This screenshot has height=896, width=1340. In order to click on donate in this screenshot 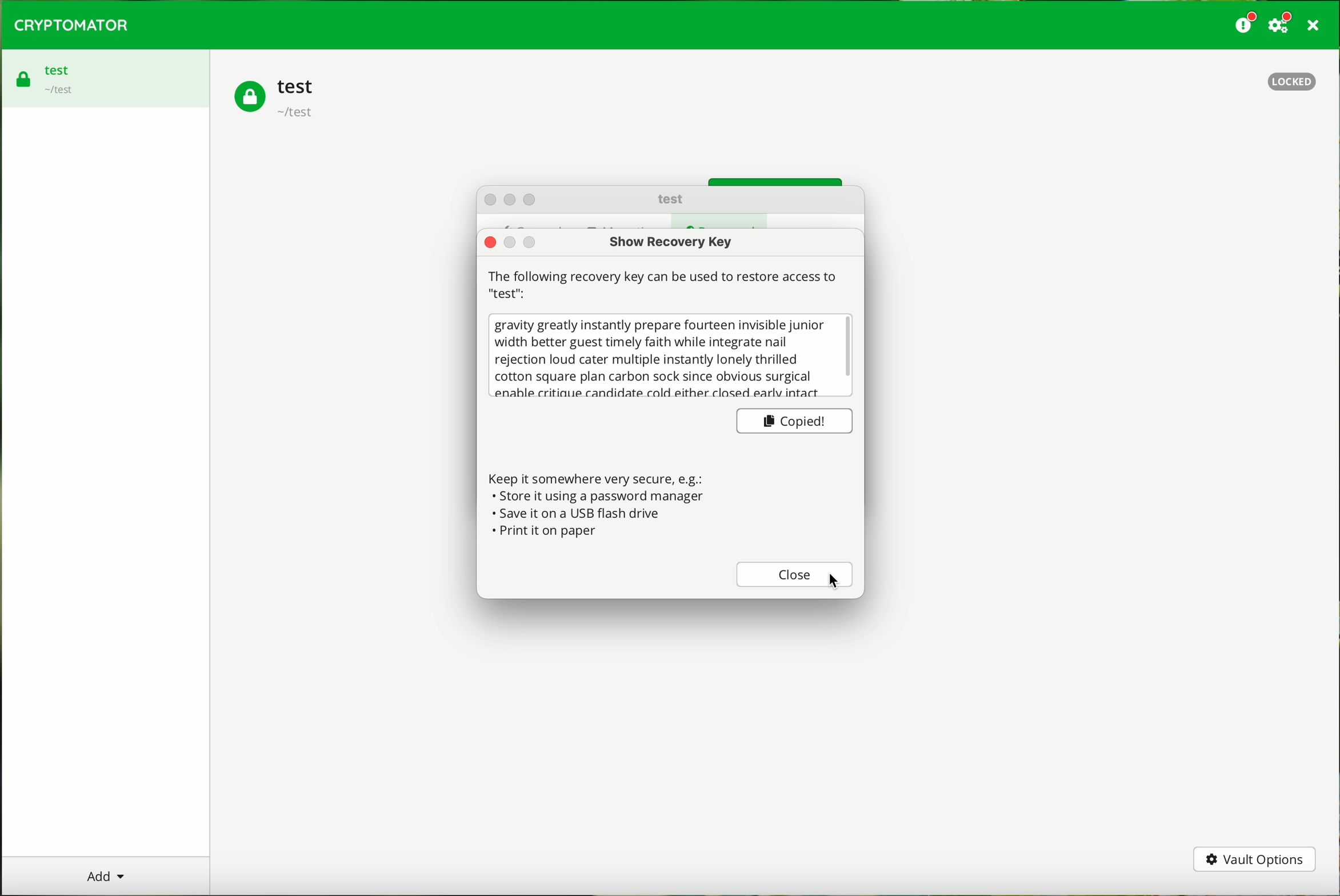, I will do `click(1246, 23)`.